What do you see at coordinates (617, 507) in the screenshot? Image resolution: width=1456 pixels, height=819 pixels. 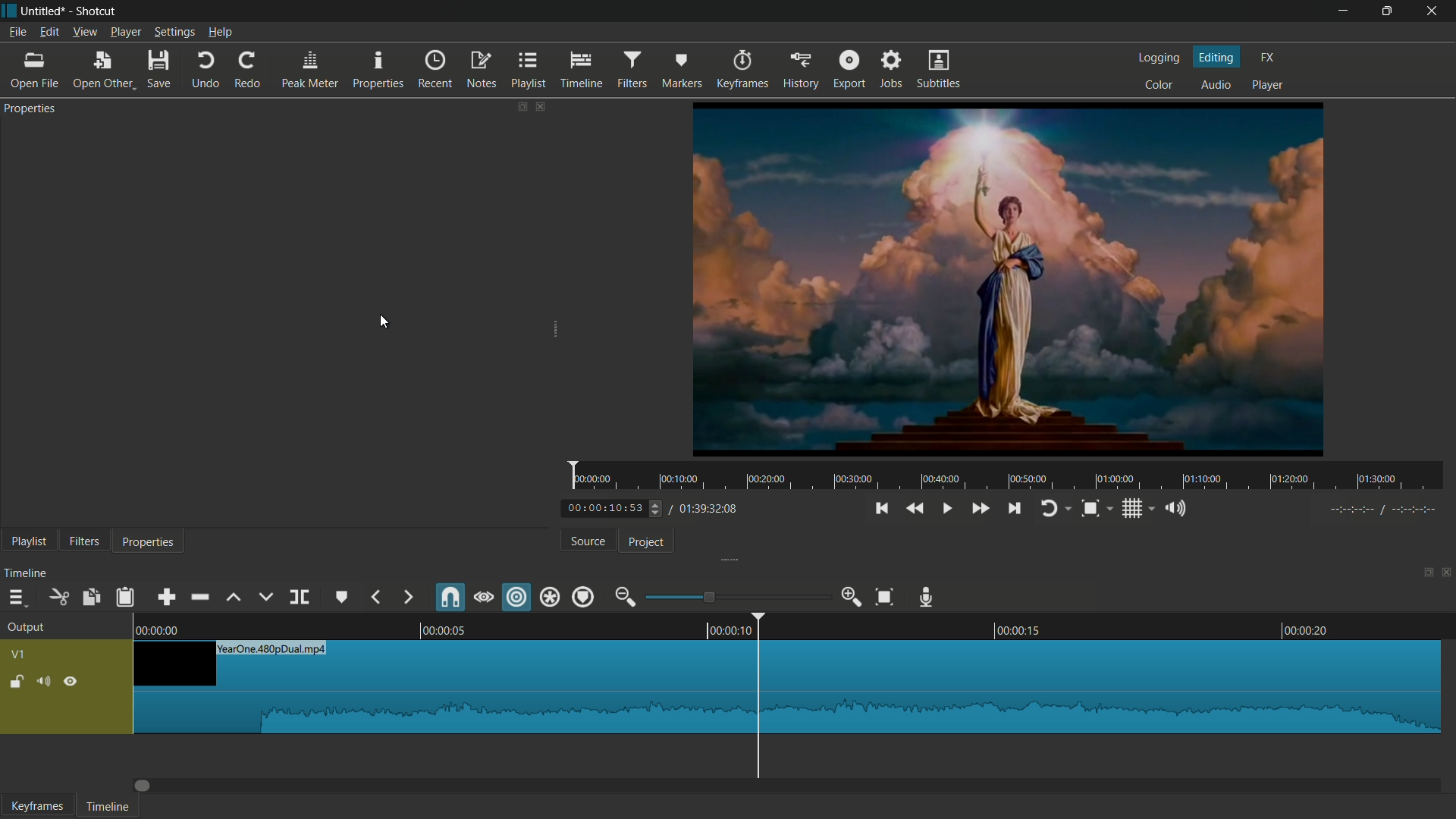 I see `current time` at bounding box center [617, 507].